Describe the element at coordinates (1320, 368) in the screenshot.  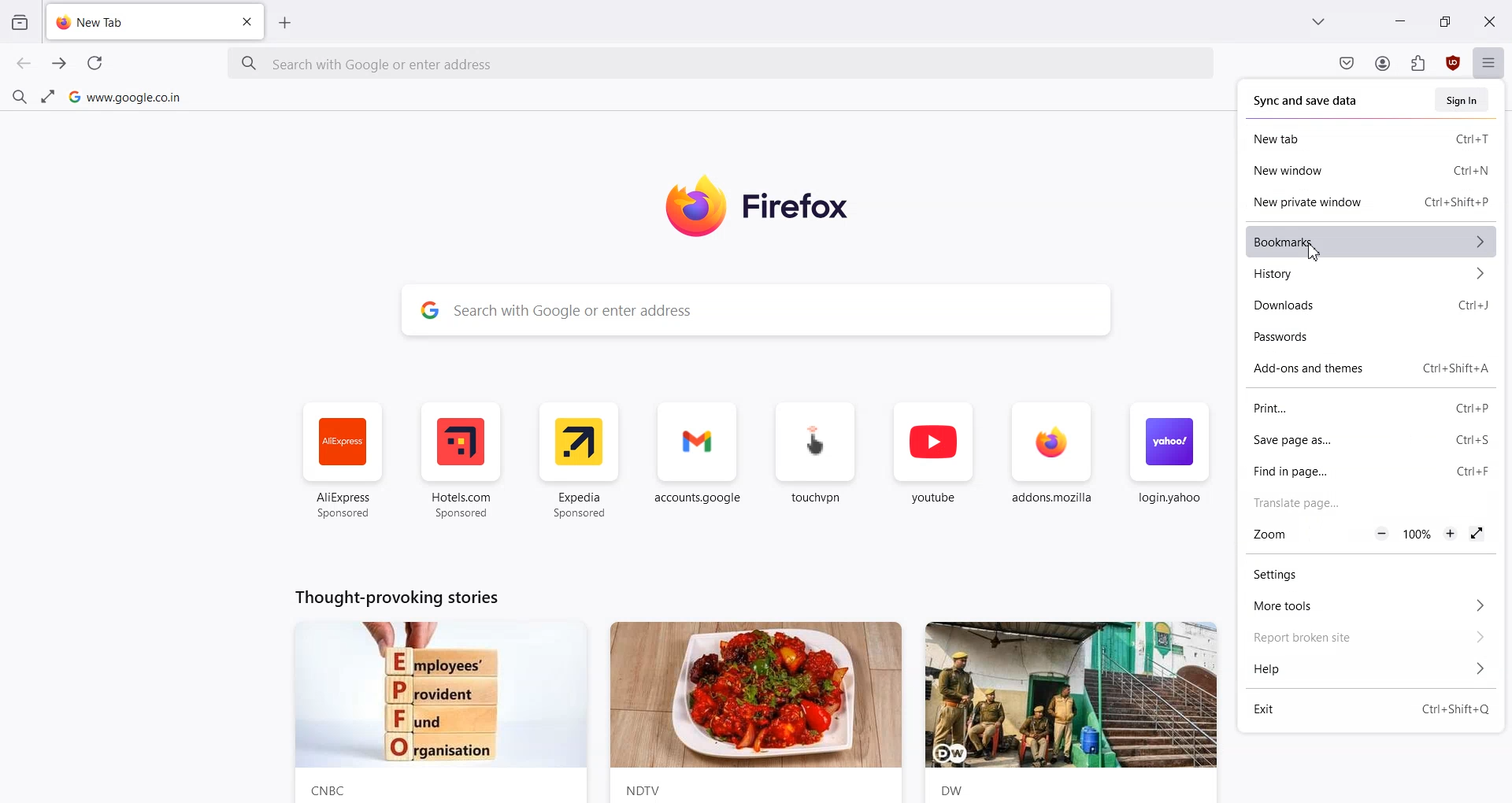
I see `Add-ons and themes` at that location.